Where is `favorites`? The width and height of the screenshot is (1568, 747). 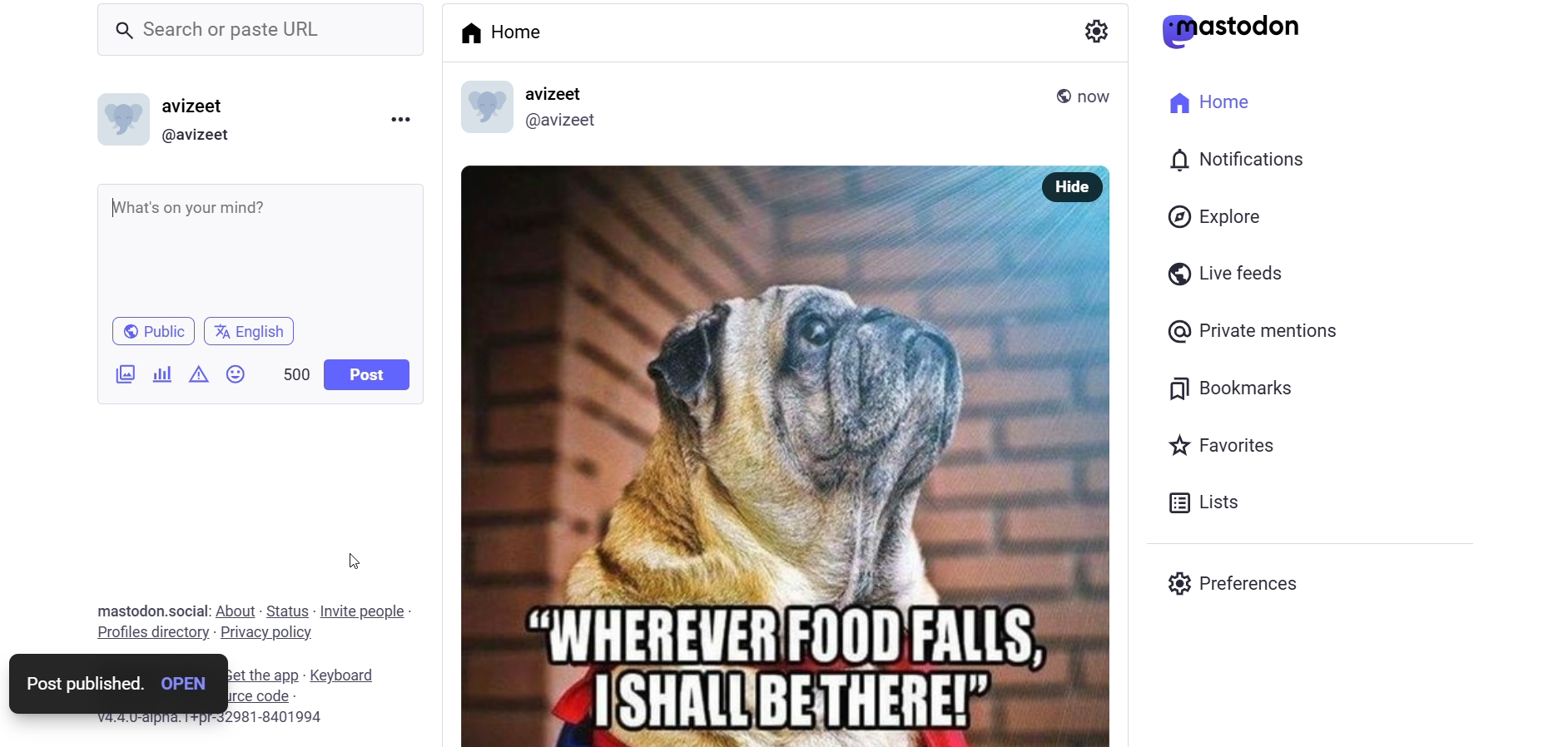
favorites is located at coordinates (1228, 448).